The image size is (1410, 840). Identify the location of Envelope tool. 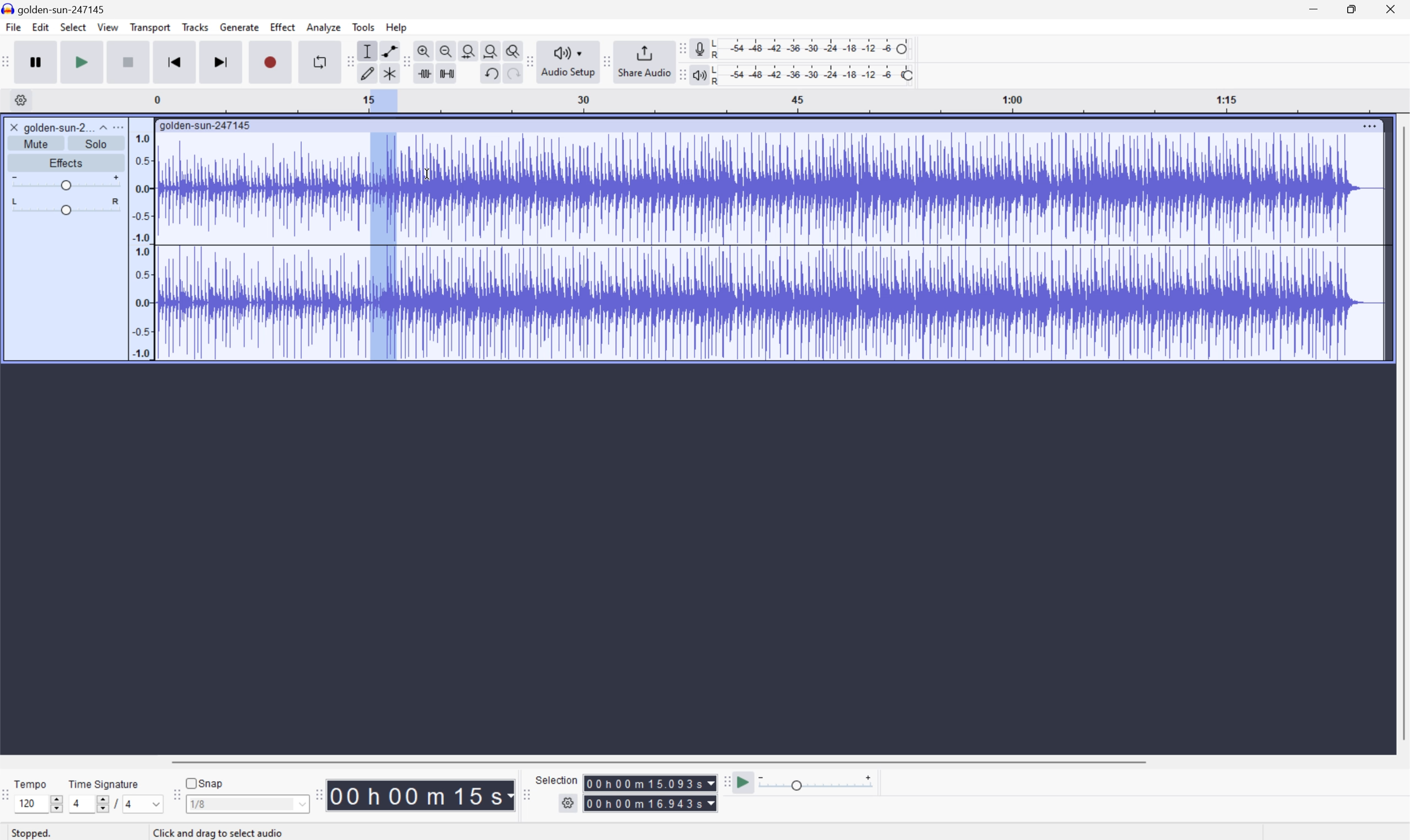
(387, 50).